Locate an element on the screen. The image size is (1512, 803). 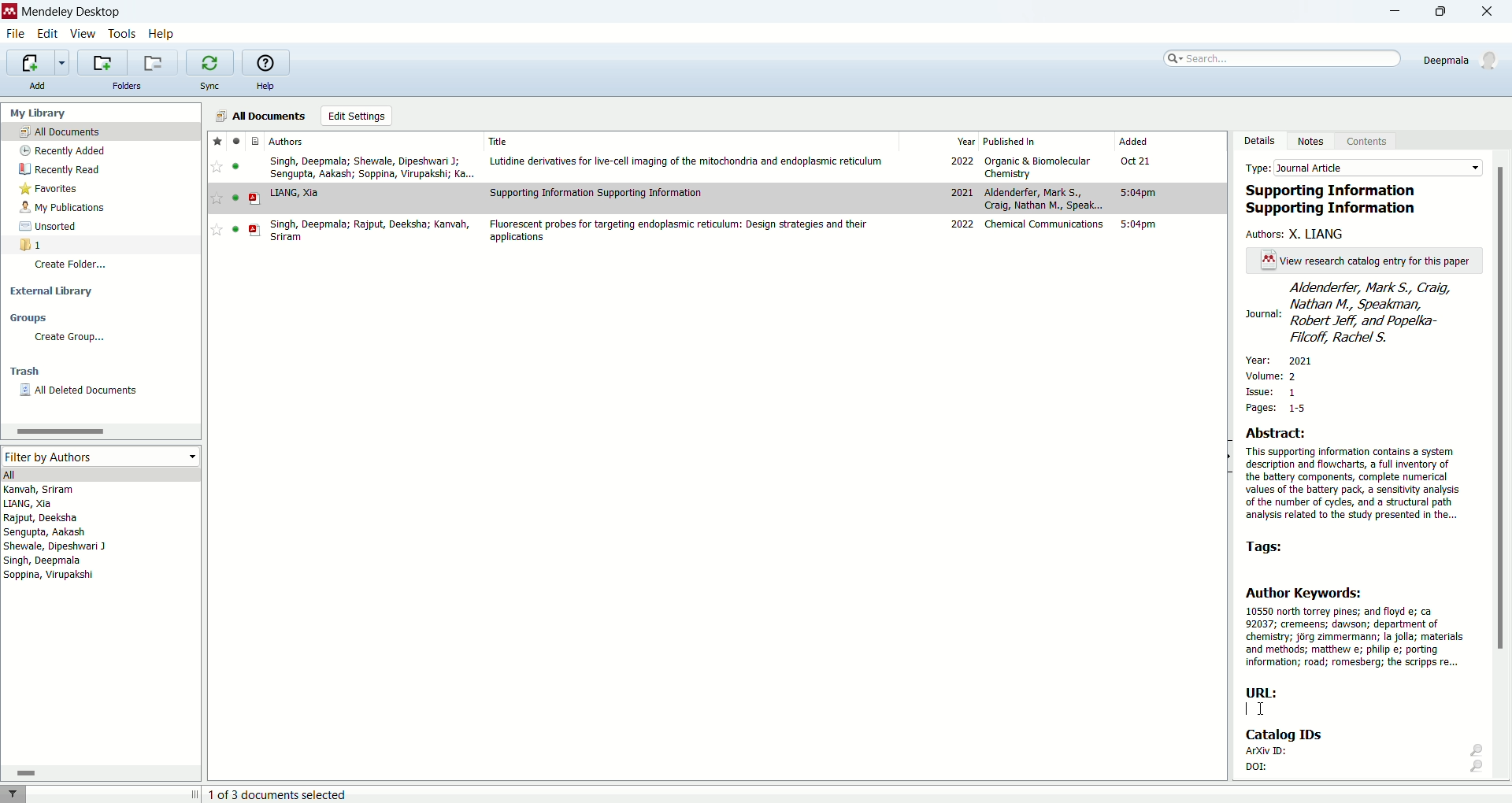
recently read is located at coordinates (57, 171).